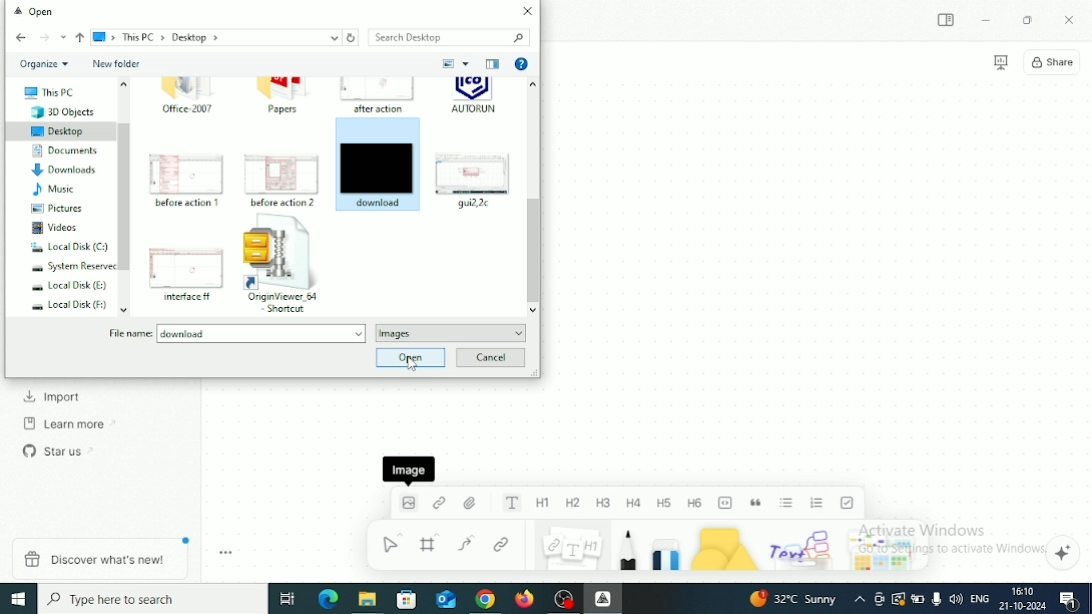 The image size is (1092, 614). Describe the element at coordinates (898, 599) in the screenshot. I see `Warning` at that location.